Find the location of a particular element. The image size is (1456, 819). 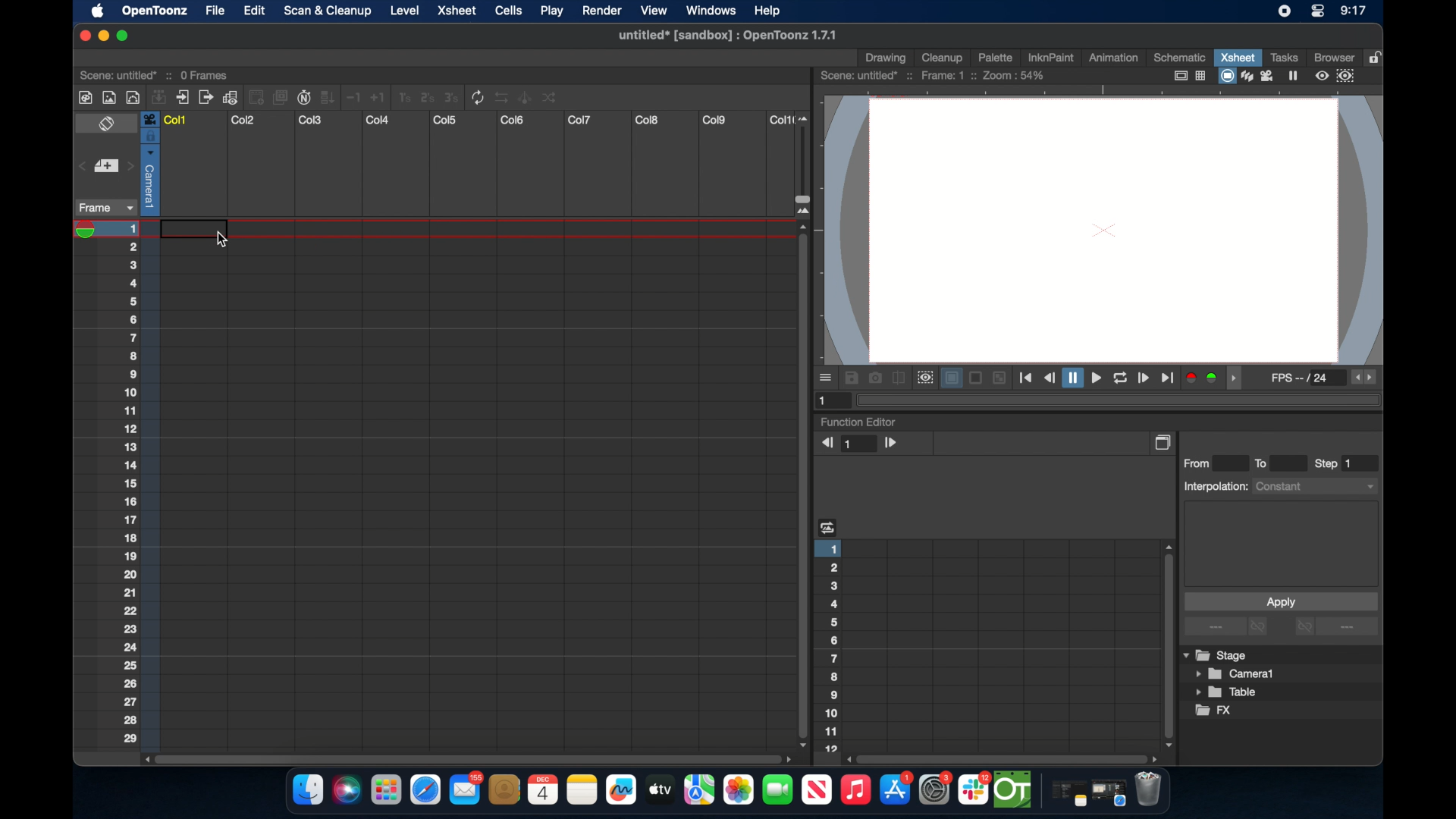

slack is located at coordinates (974, 790).